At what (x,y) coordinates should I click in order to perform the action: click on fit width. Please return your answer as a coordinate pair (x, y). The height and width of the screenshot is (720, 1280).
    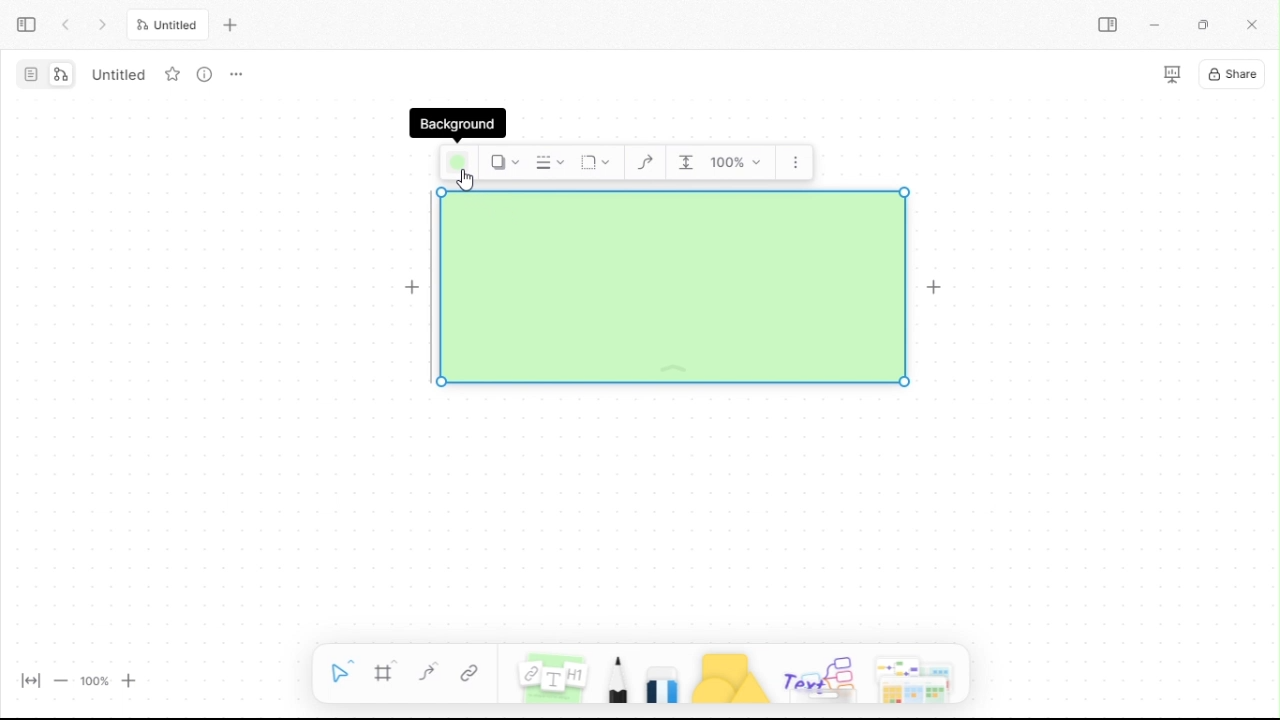
    Looking at the image, I should click on (31, 682).